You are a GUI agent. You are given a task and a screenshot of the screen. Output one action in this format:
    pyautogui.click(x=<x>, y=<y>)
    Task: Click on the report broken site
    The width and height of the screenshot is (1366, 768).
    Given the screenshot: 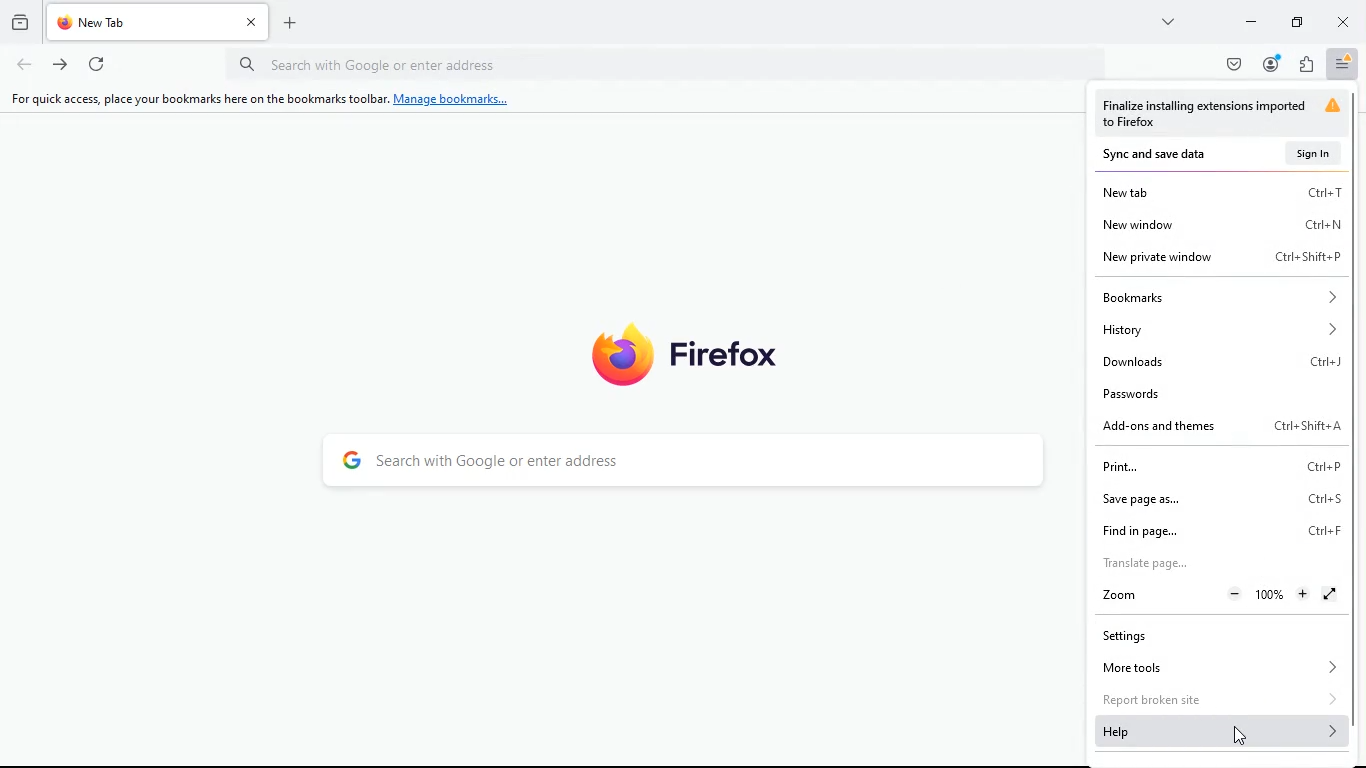 What is the action you would take?
    pyautogui.click(x=1225, y=700)
    